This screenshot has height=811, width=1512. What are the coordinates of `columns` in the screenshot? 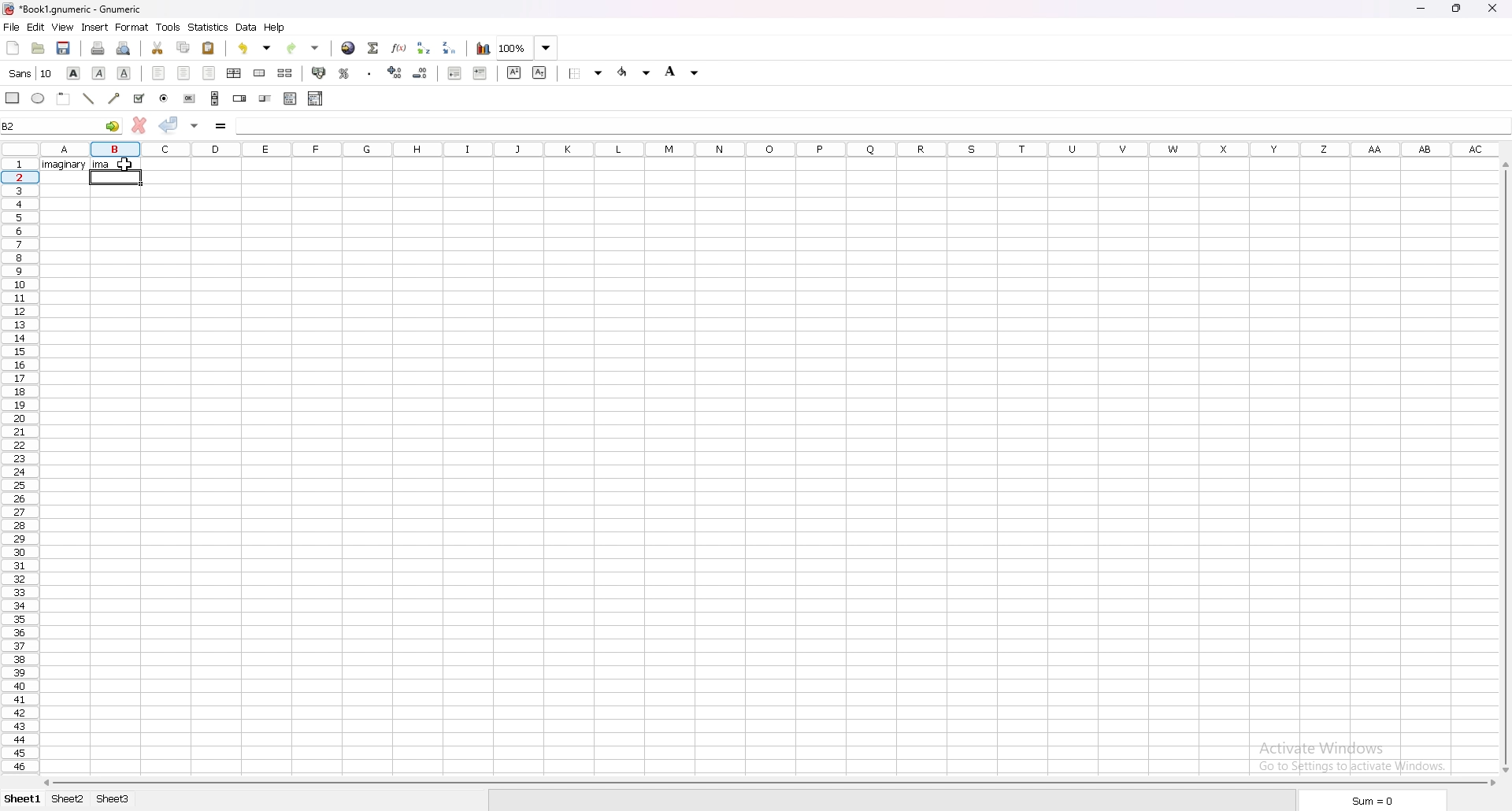 It's located at (774, 147).